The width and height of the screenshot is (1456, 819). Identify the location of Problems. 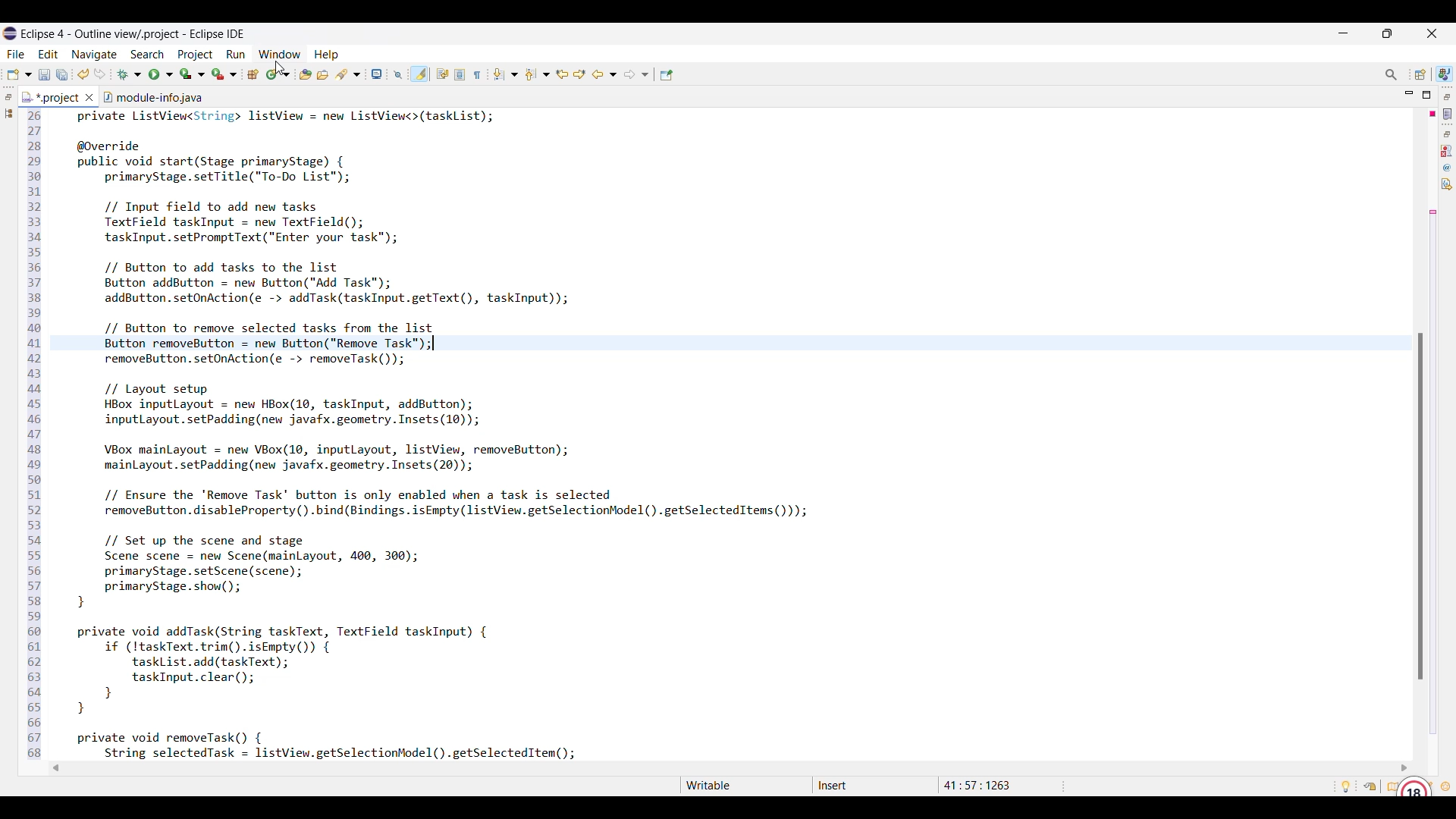
(1447, 151).